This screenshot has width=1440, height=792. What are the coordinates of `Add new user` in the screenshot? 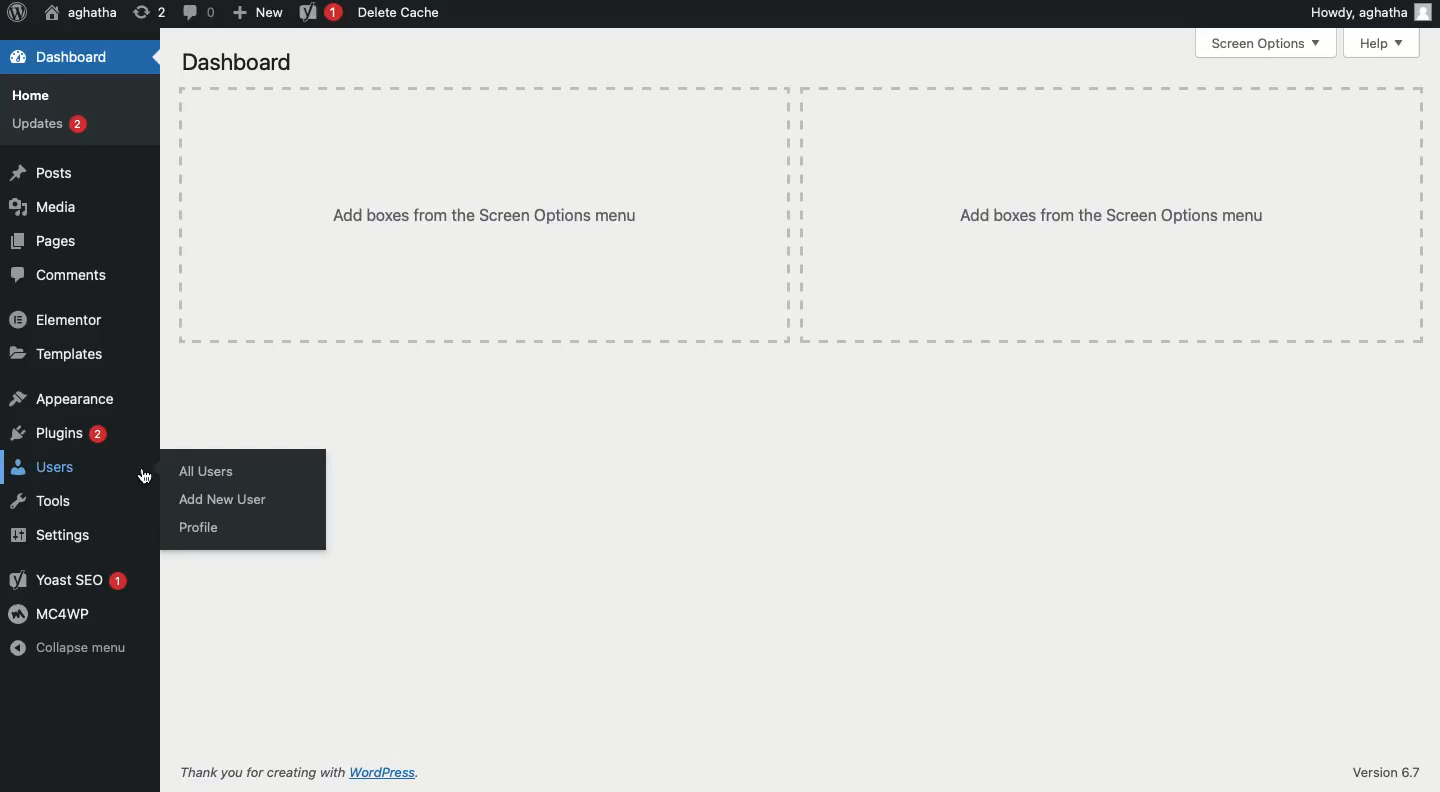 It's located at (219, 500).